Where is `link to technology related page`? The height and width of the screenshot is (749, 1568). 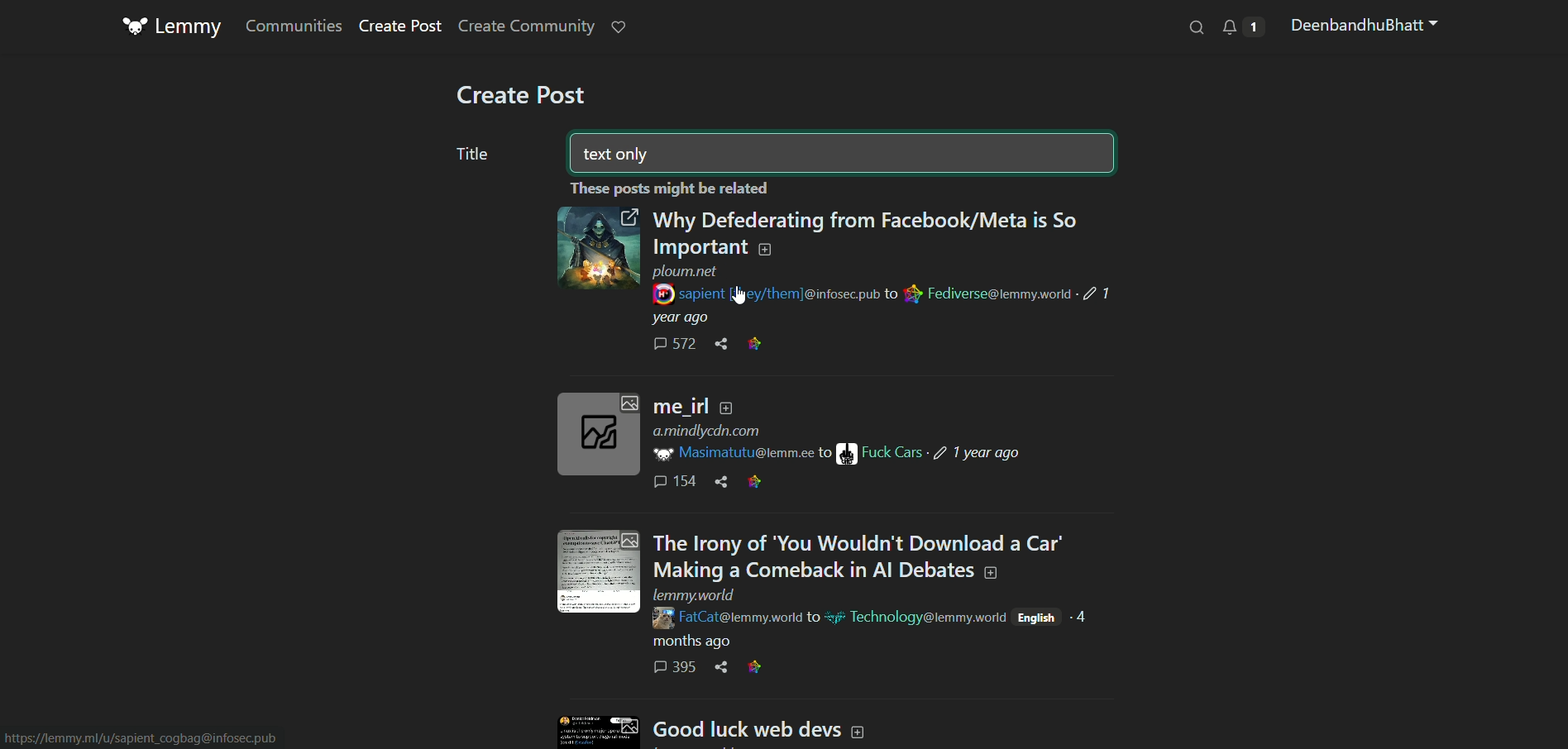 link to technology related page is located at coordinates (929, 617).